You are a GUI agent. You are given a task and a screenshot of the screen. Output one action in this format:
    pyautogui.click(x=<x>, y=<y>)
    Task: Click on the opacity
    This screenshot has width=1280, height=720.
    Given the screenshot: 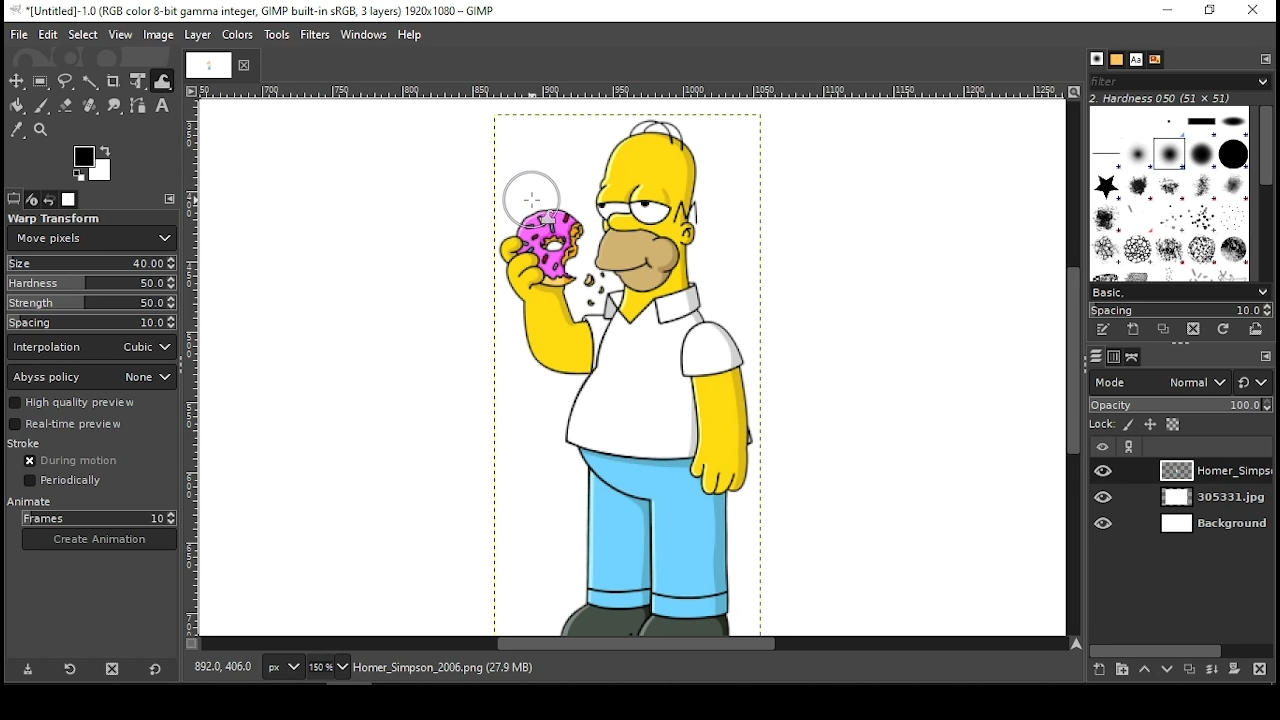 What is the action you would take?
    pyautogui.click(x=1180, y=405)
    